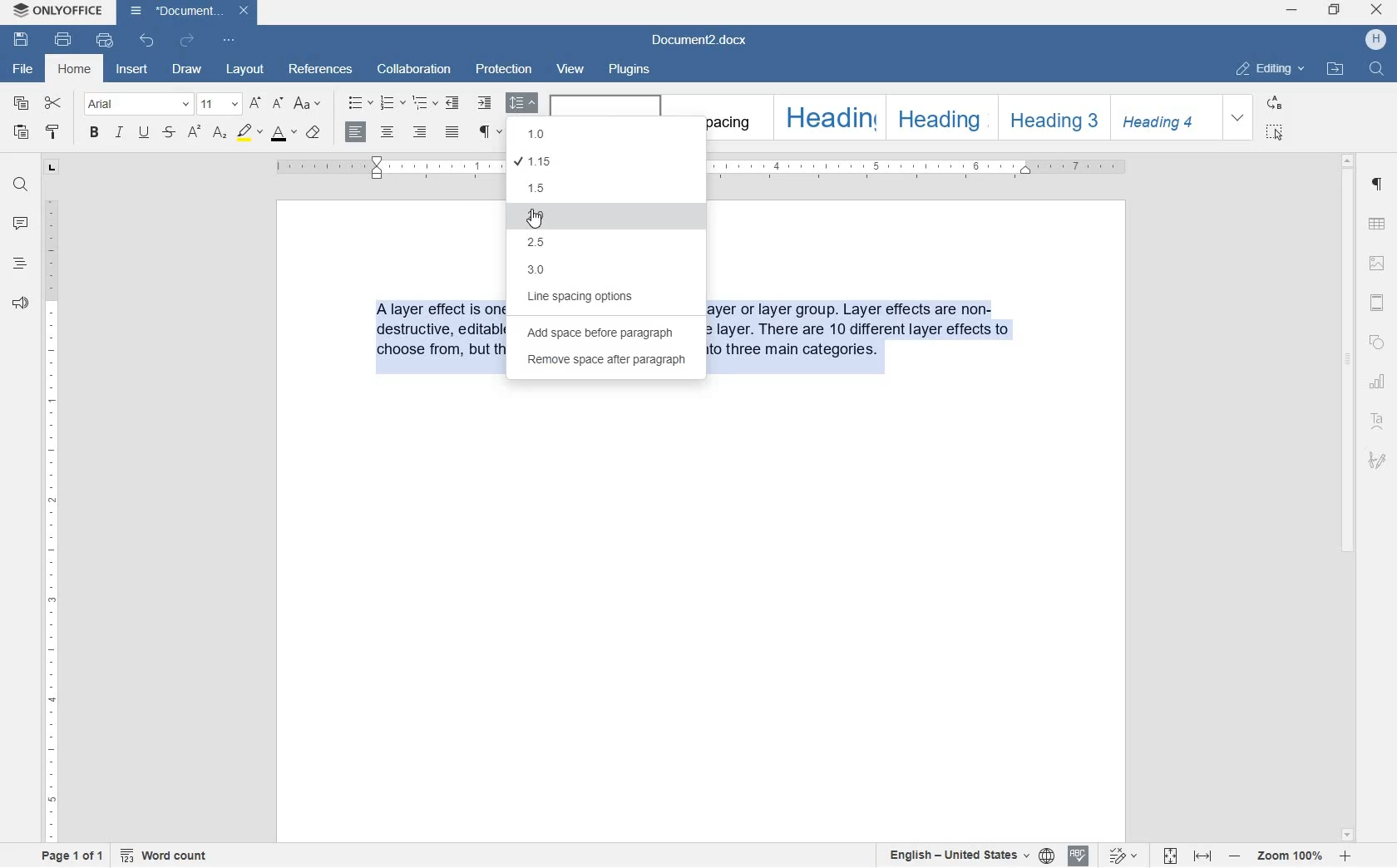  What do you see at coordinates (147, 40) in the screenshot?
I see `undo` at bounding box center [147, 40].